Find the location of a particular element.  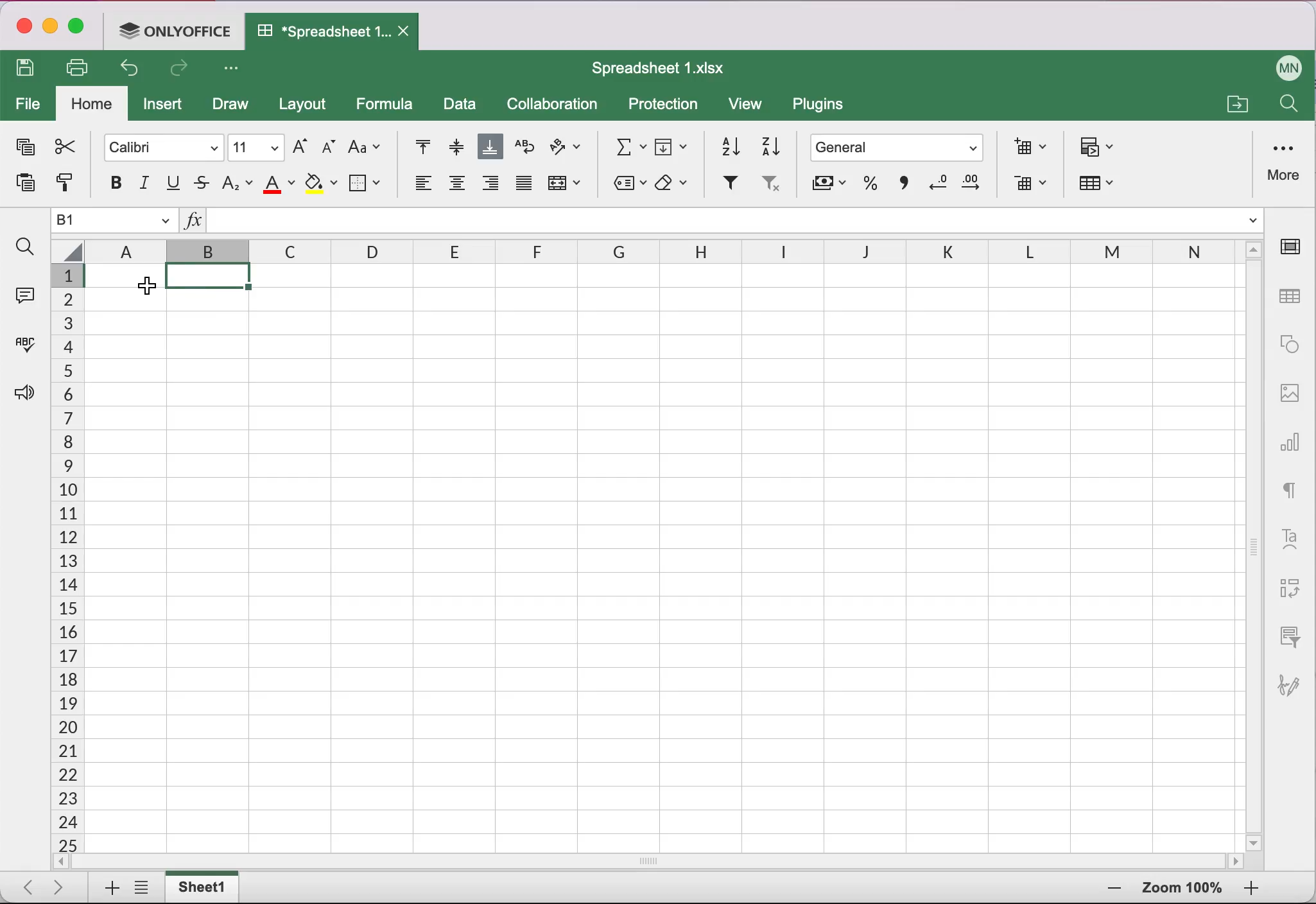

insert is located at coordinates (166, 107).